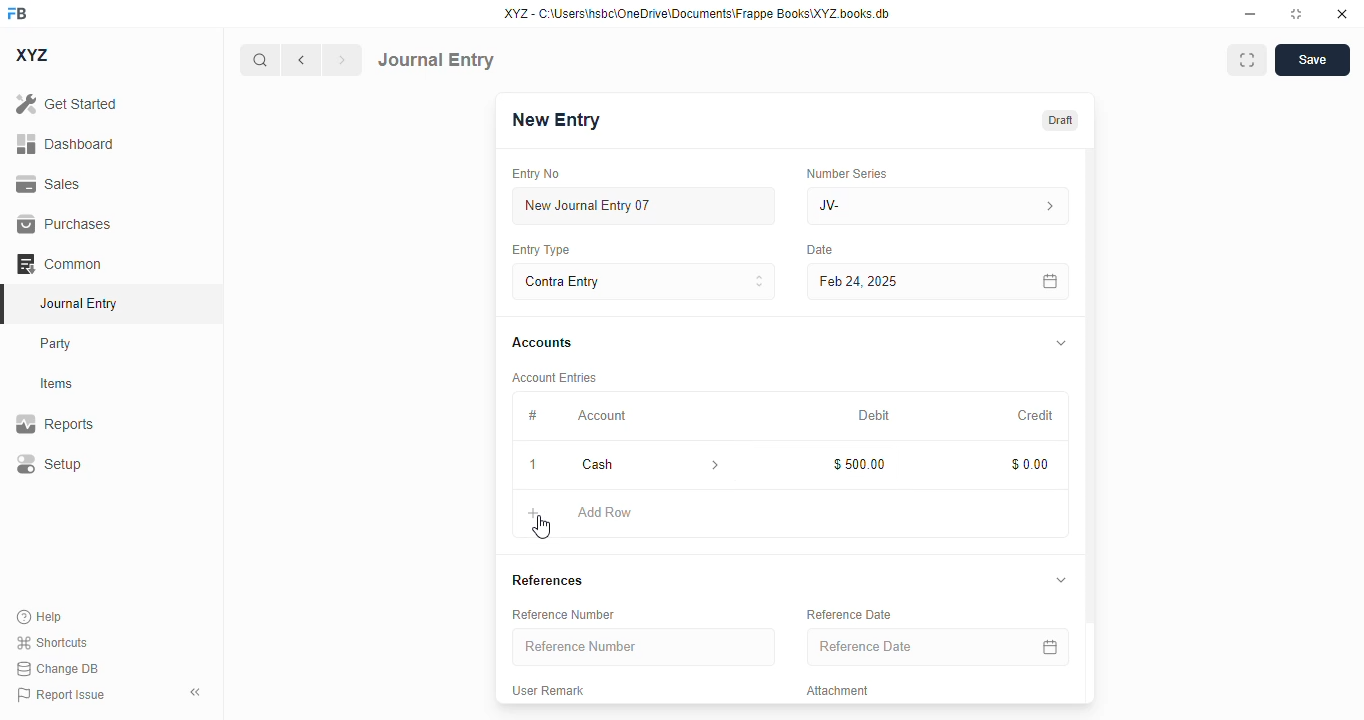 The width and height of the screenshot is (1364, 720). Describe the element at coordinates (938, 206) in the screenshot. I see `JV-` at that location.